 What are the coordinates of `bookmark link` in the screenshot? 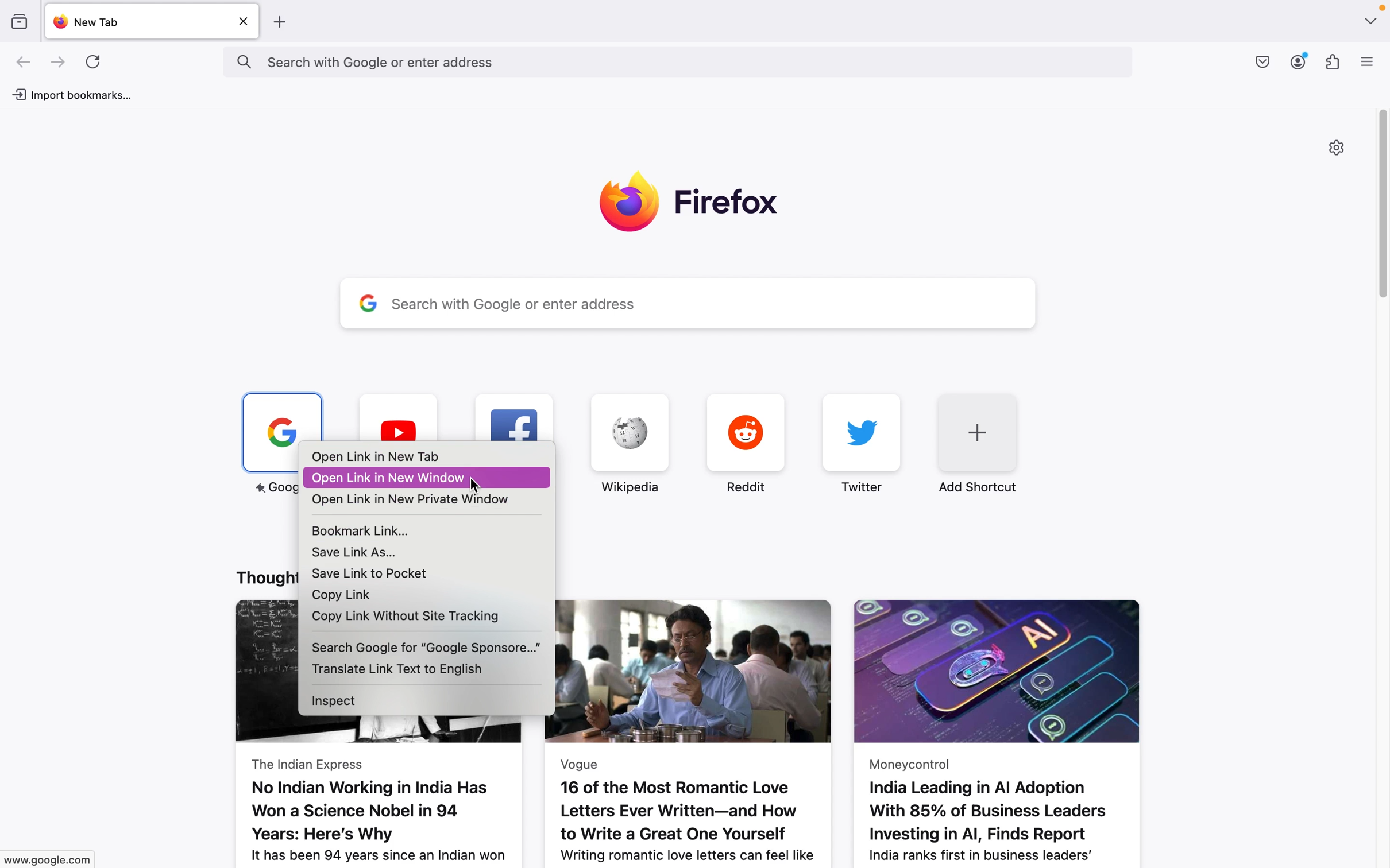 It's located at (360, 530).